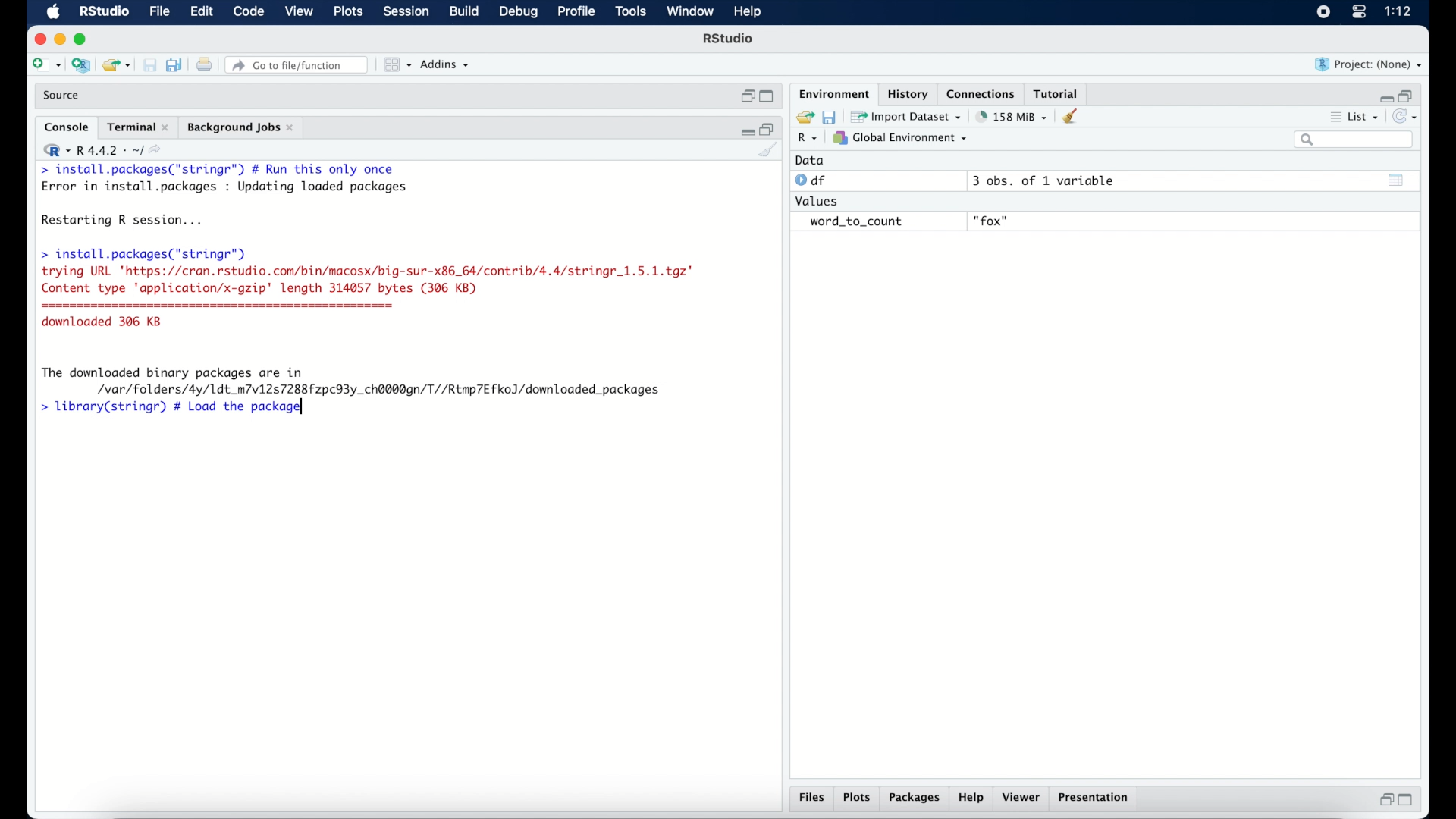  I want to click on terminal, so click(138, 127).